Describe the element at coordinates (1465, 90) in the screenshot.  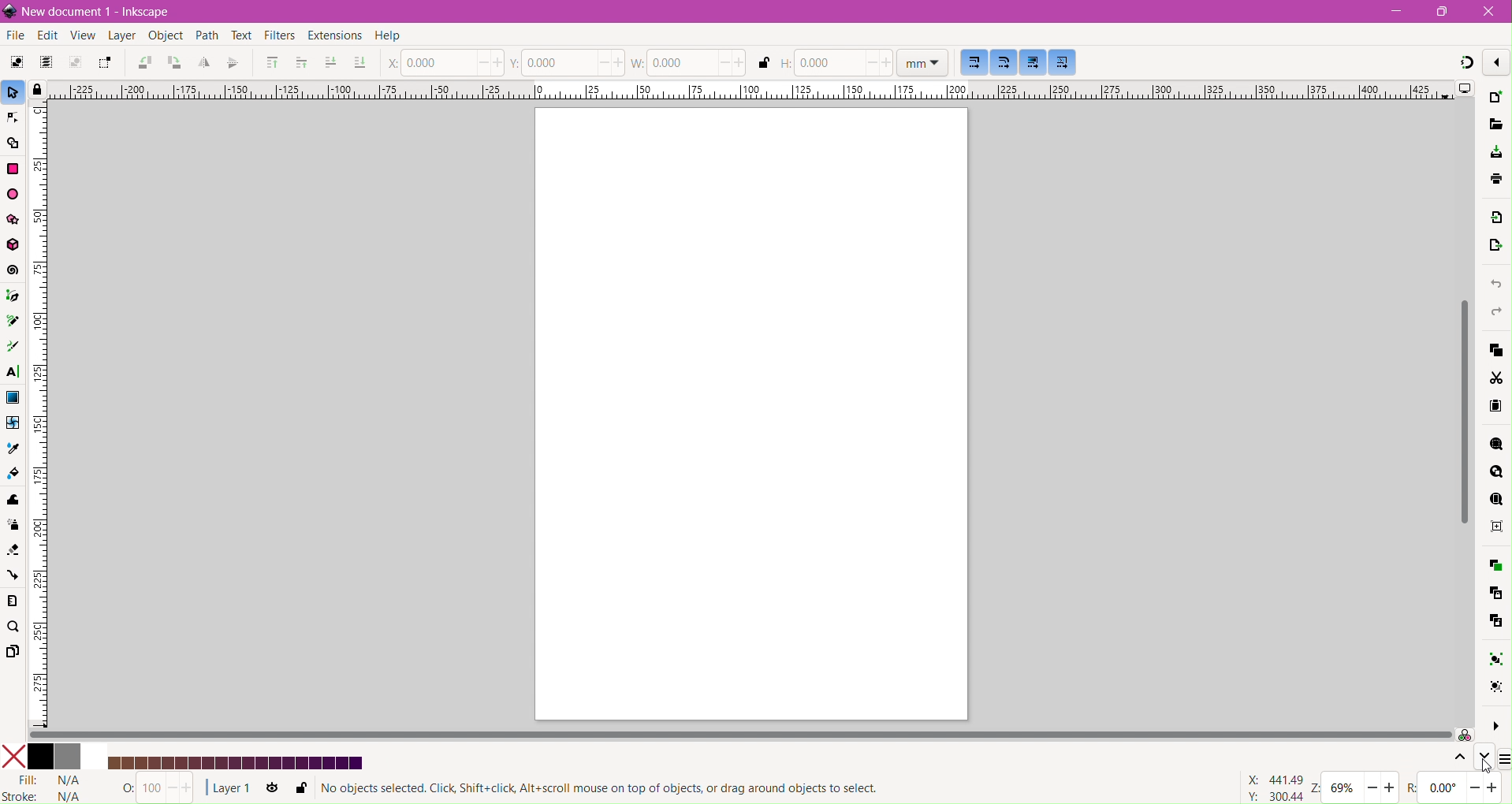
I see `Display Options` at that location.